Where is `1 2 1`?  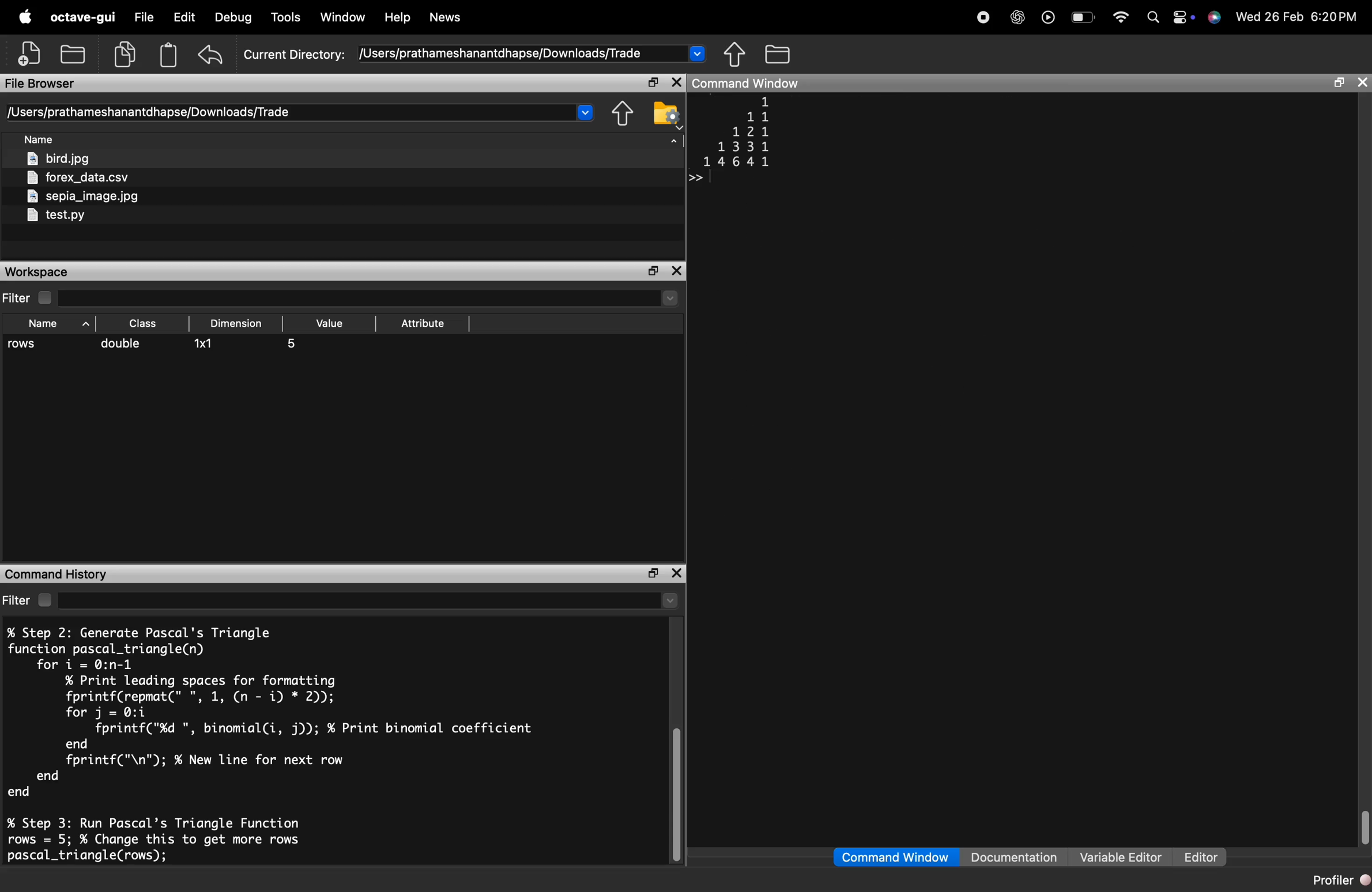 1 2 1 is located at coordinates (749, 132).